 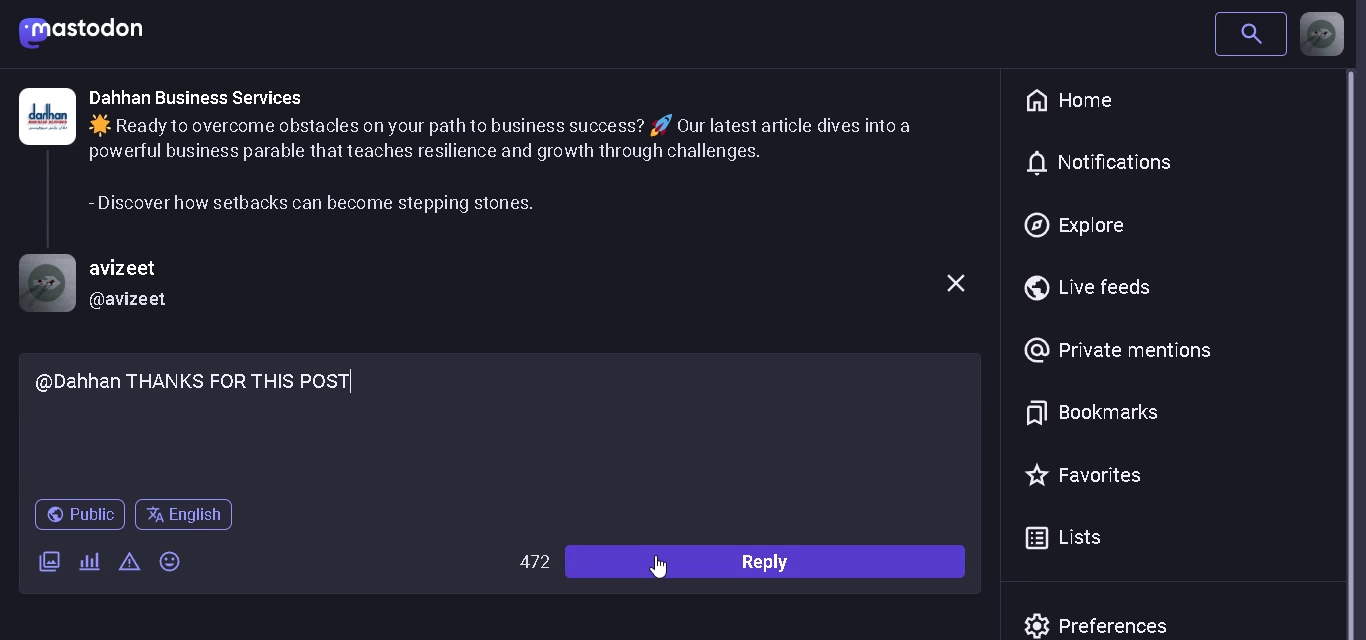 What do you see at coordinates (46, 284) in the screenshot?
I see `profile picture` at bounding box center [46, 284].